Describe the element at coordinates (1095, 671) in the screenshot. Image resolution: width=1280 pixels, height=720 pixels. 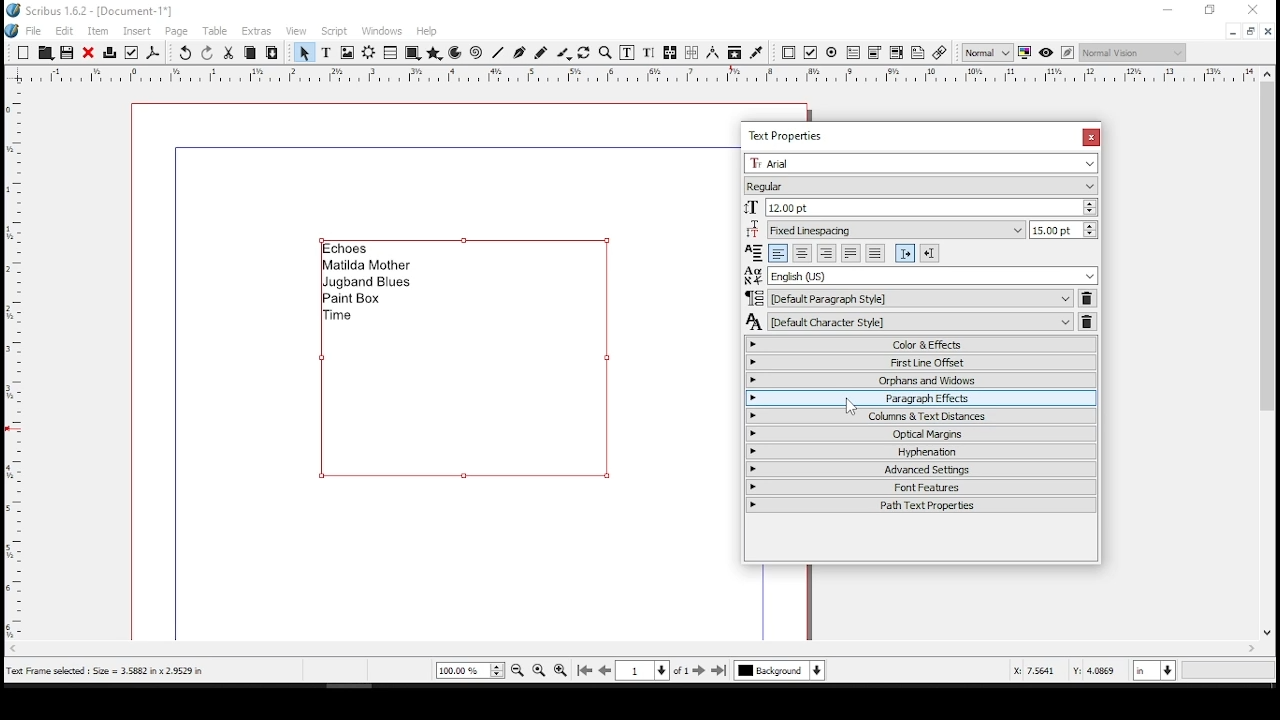
I see `Y: 3.1693` at that location.